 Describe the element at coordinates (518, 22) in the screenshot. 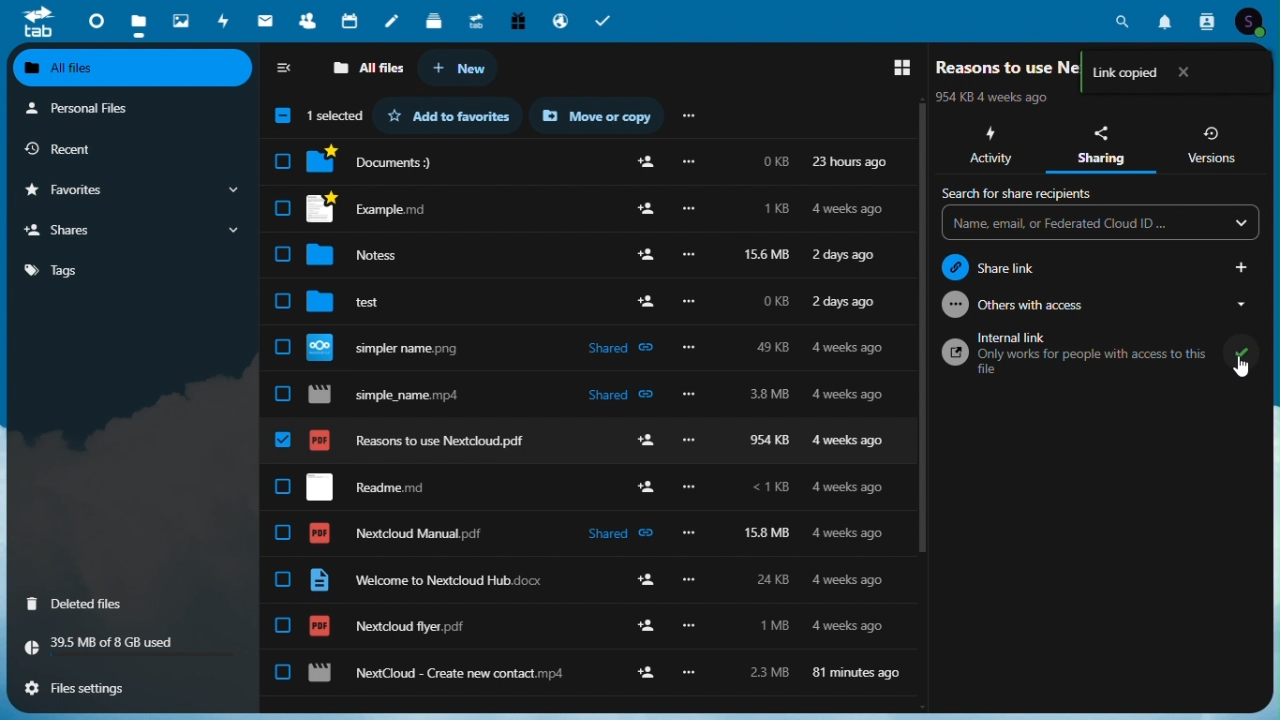

I see `Free trial` at that location.